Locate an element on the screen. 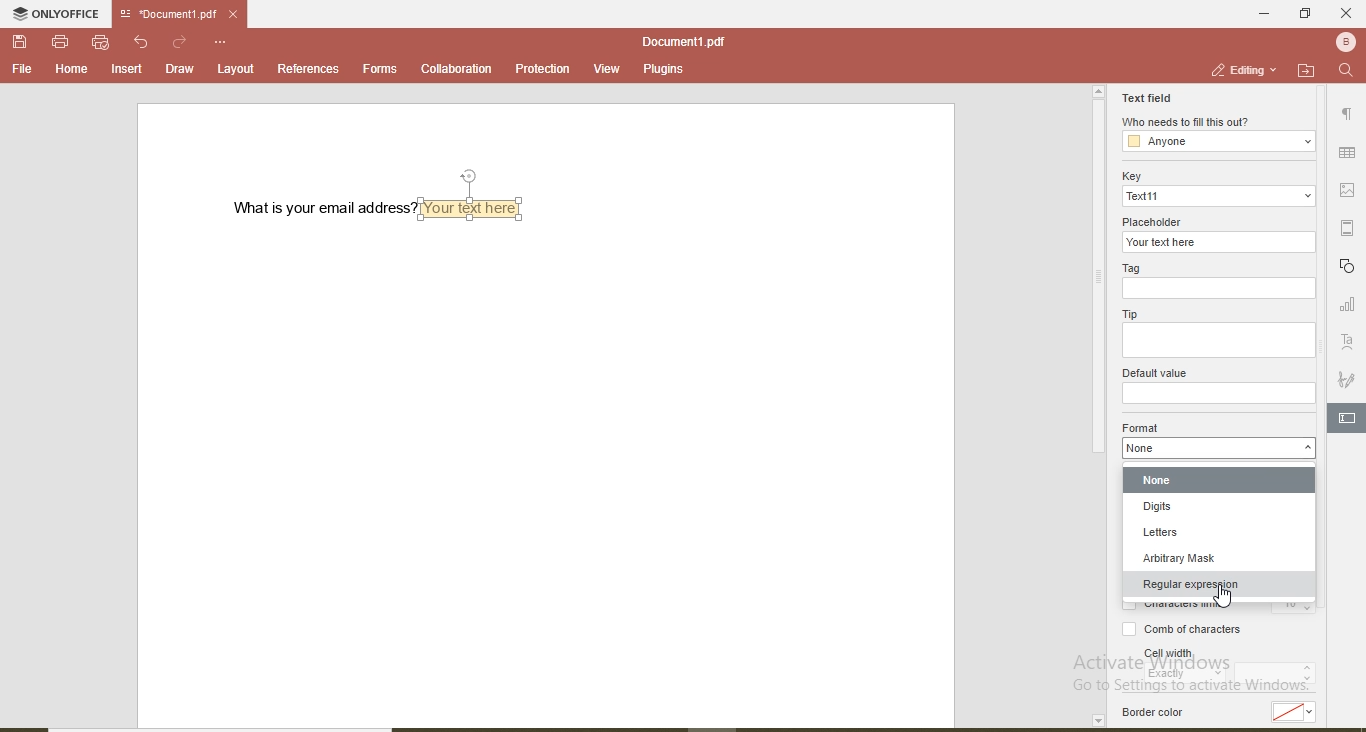 The height and width of the screenshot is (732, 1366). tag input is located at coordinates (1217, 289).